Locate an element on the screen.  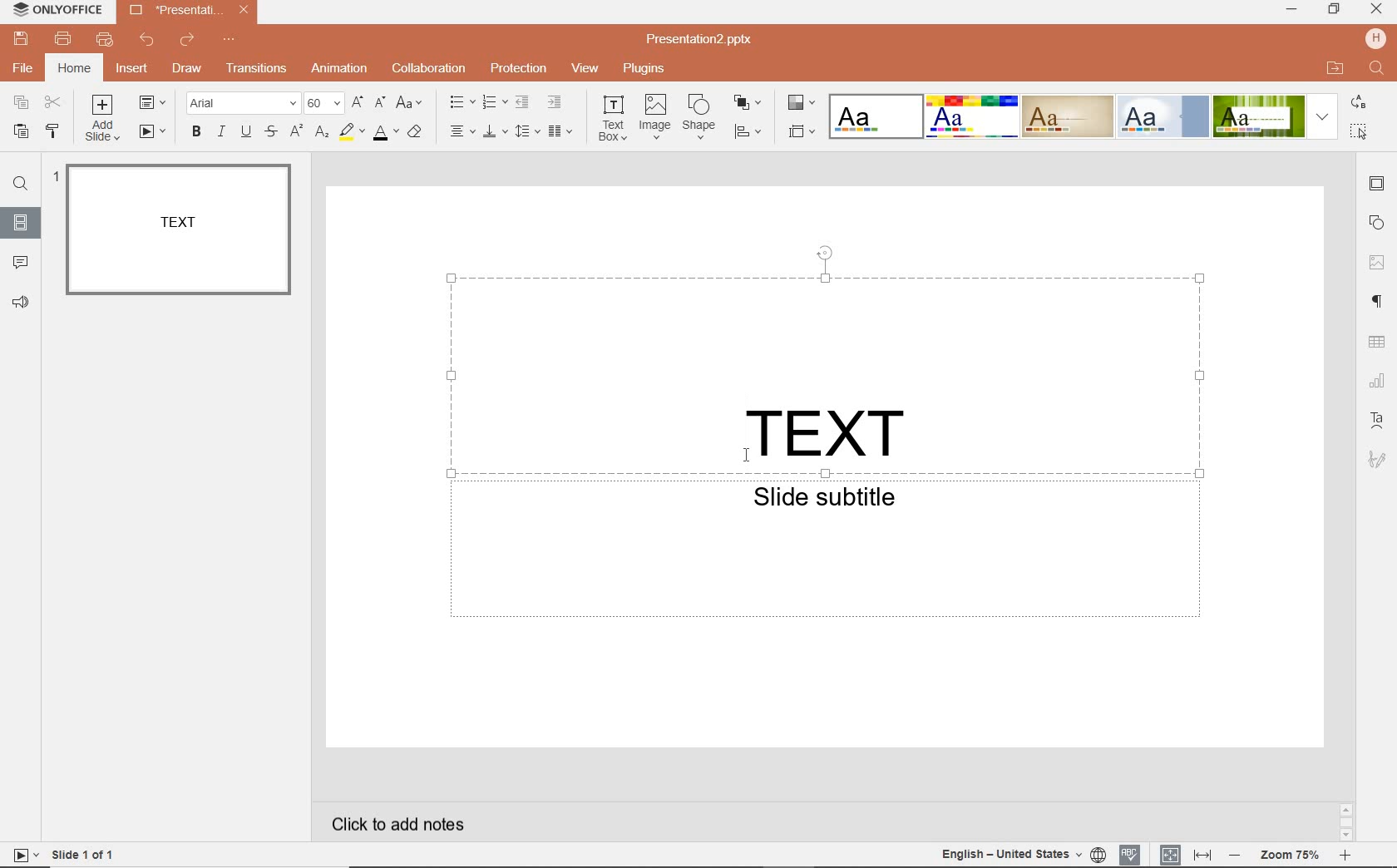
SAVE is located at coordinates (21, 37).